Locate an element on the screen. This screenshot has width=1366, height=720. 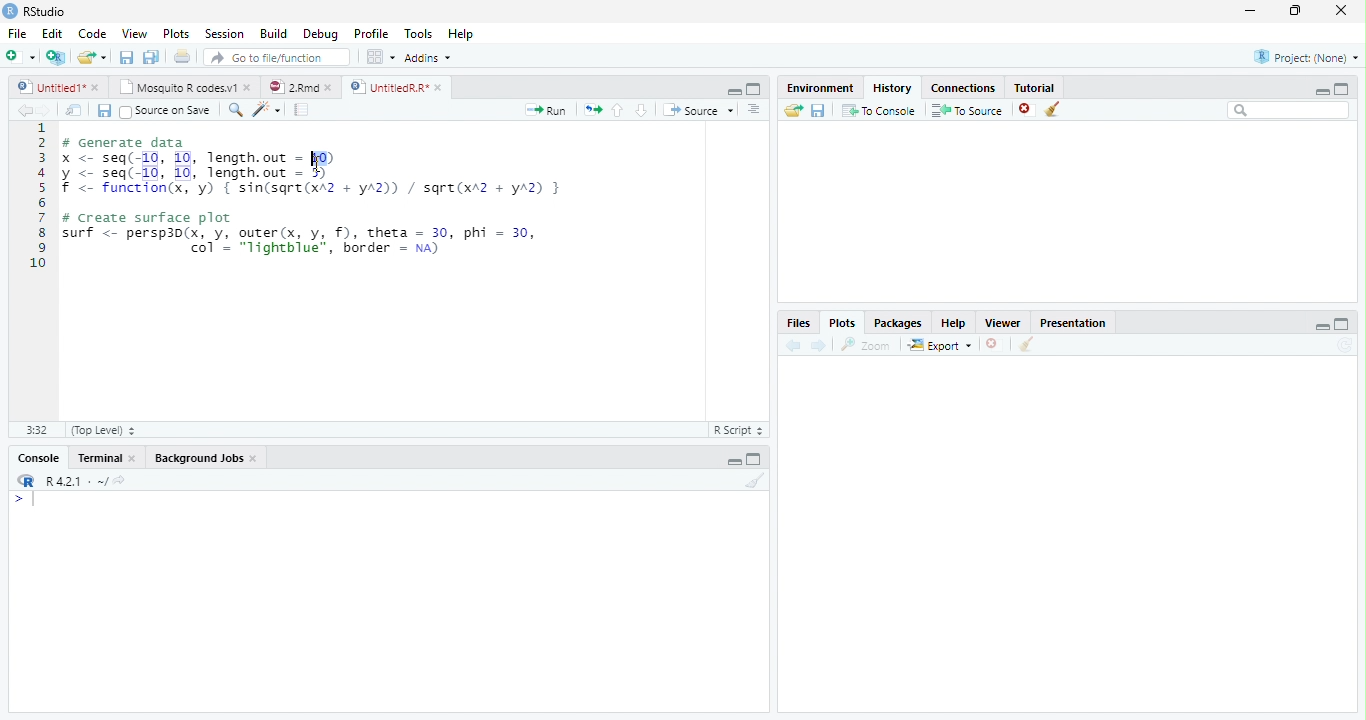
Refresh current plot is located at coordinates (1347, 345).